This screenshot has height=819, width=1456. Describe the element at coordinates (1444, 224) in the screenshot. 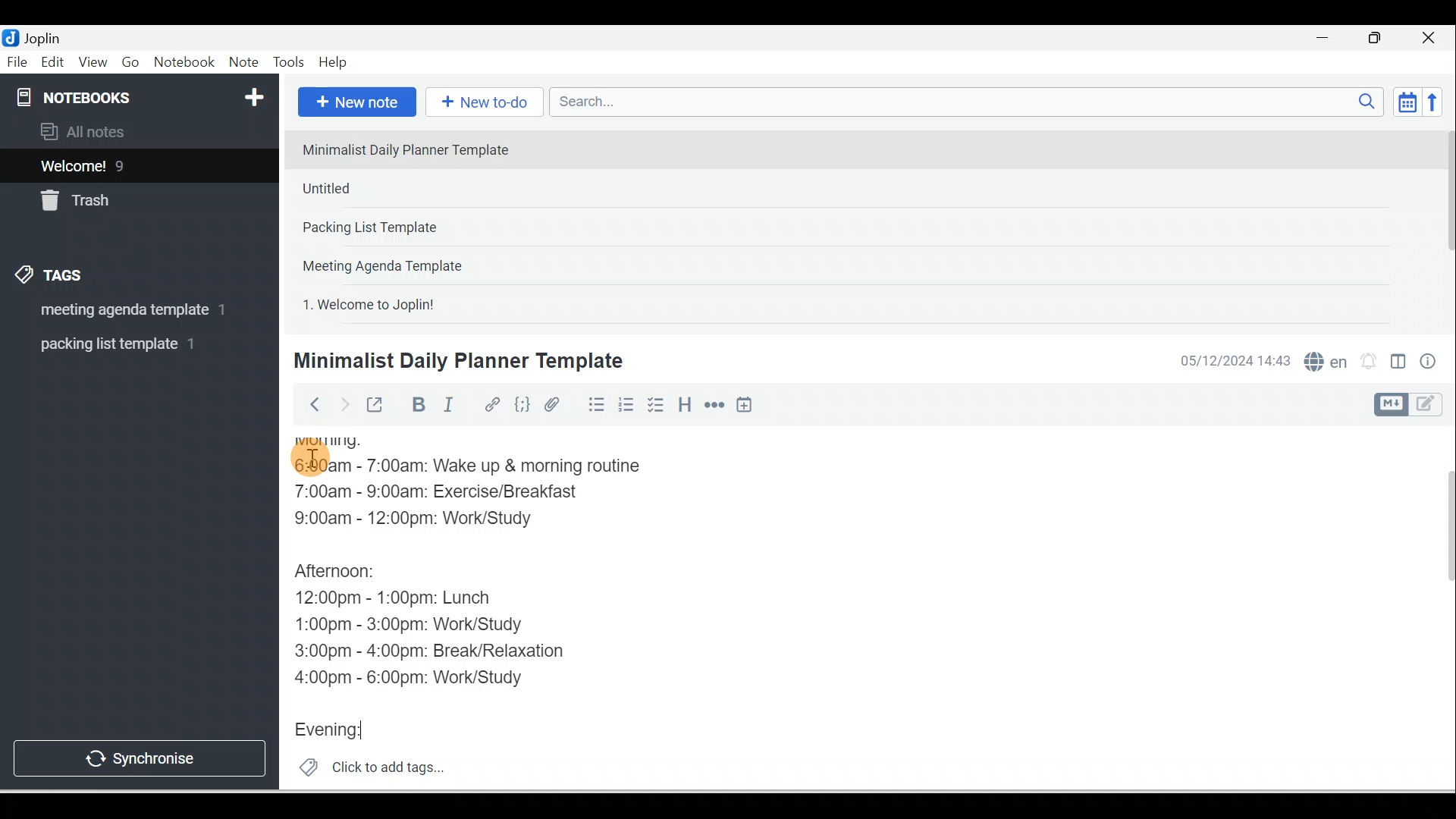

I see `Scroll bar` at that location.